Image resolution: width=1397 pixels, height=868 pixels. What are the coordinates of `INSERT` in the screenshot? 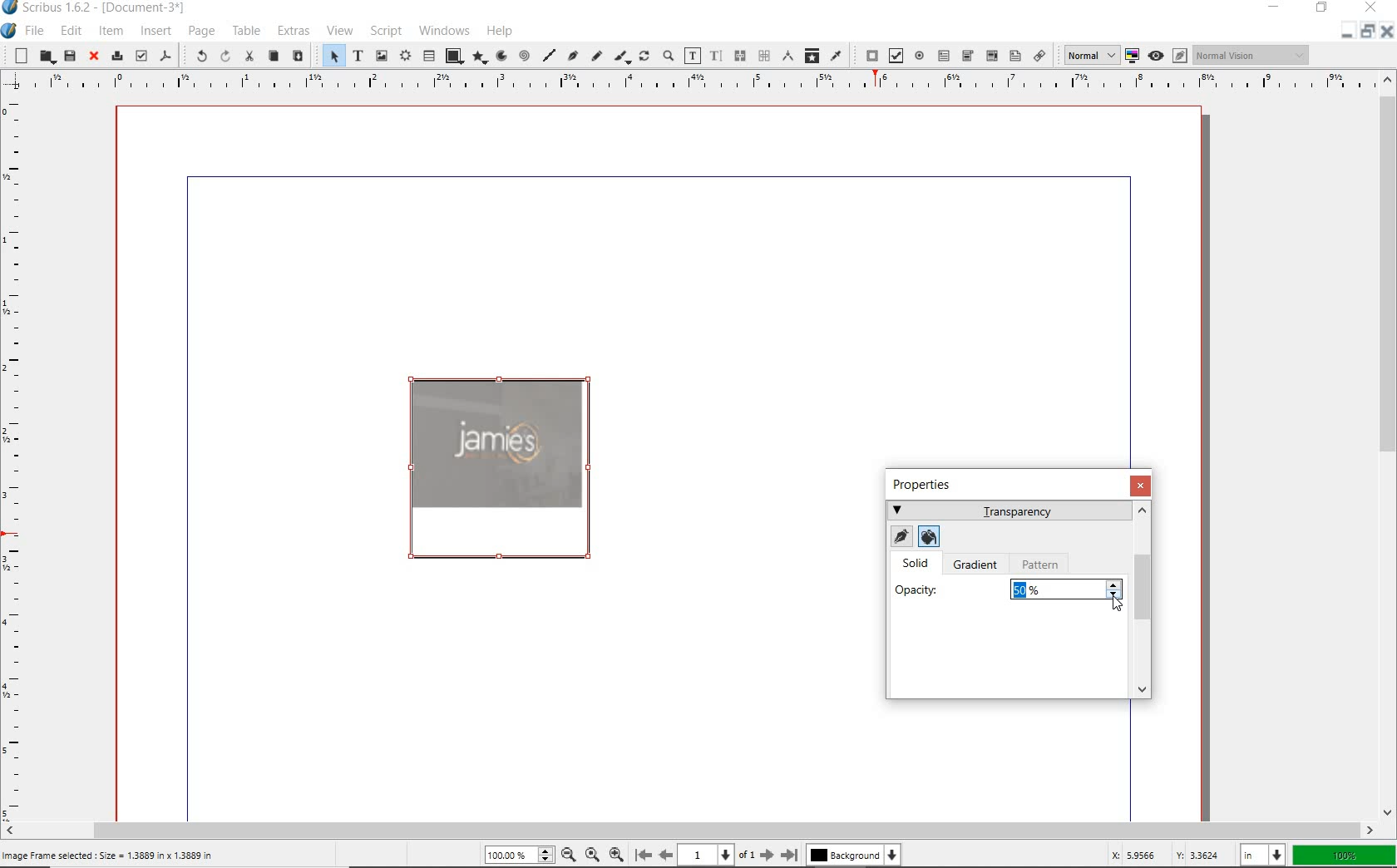 It's located at (156, 32).